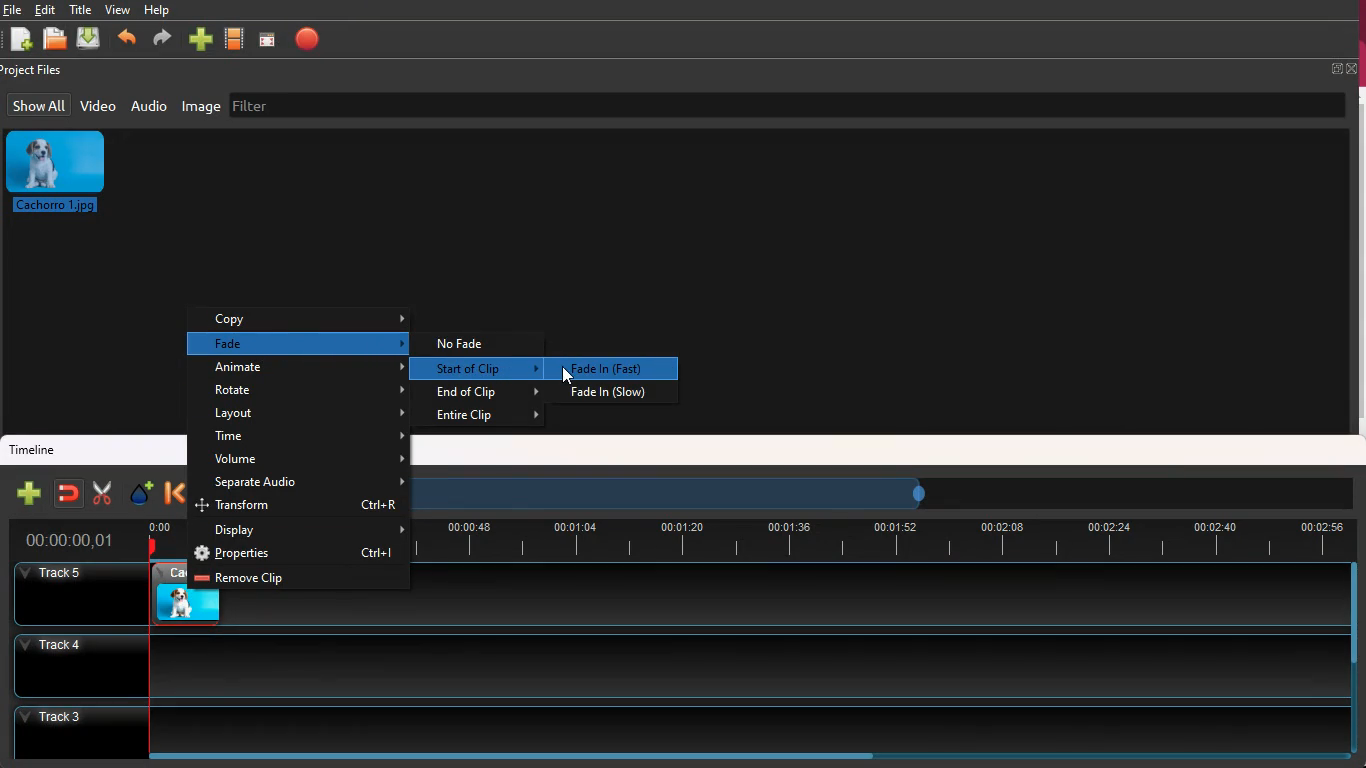 Image resolution: width=1366 pixels, height=768 pixels. What do you see at coordinates (890, 595) in the screenshot?
I see `track5` at bounding box center [890, 595].